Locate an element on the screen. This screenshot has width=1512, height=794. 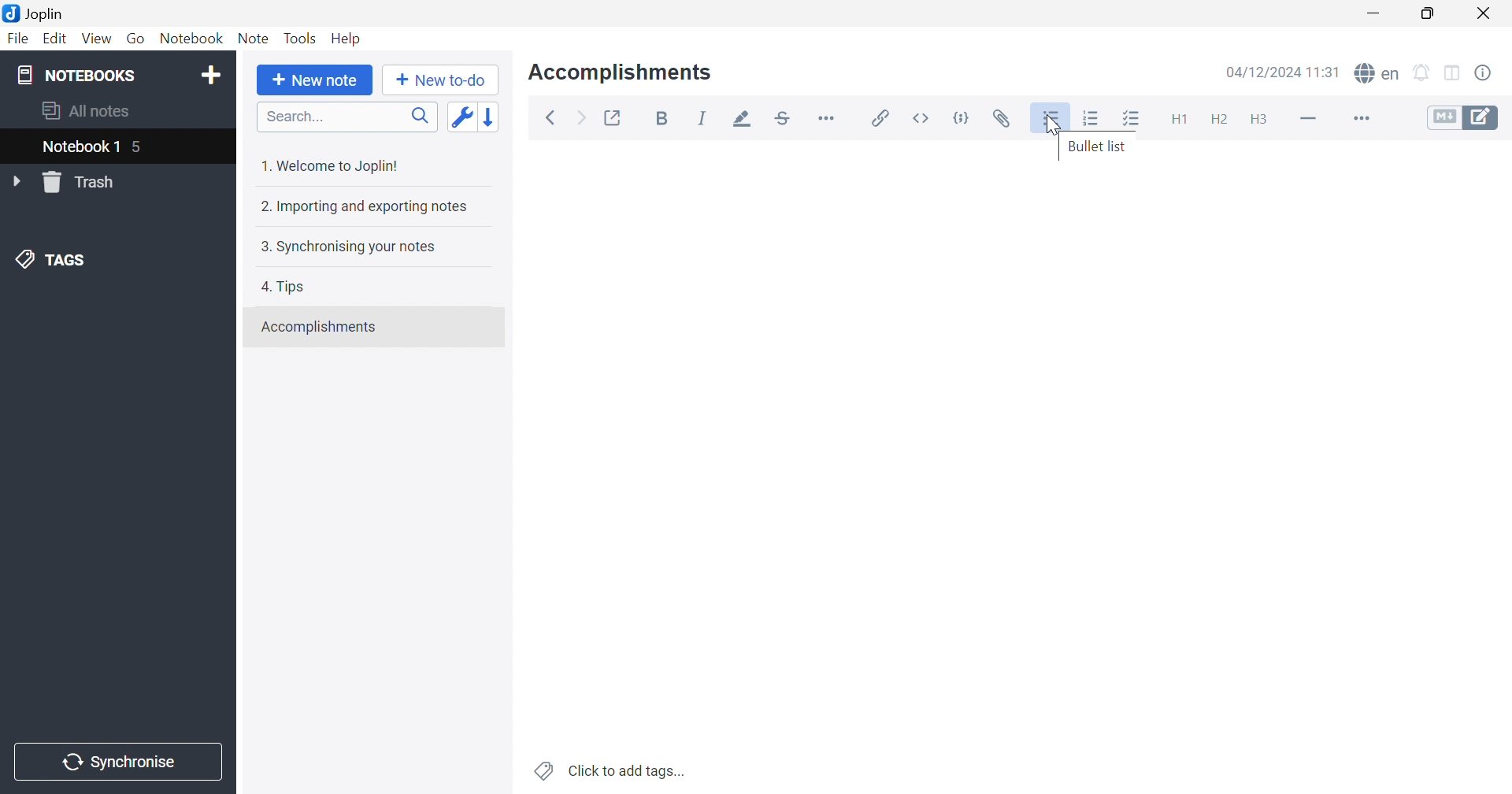
Bold is located at coordinates (662, 117).